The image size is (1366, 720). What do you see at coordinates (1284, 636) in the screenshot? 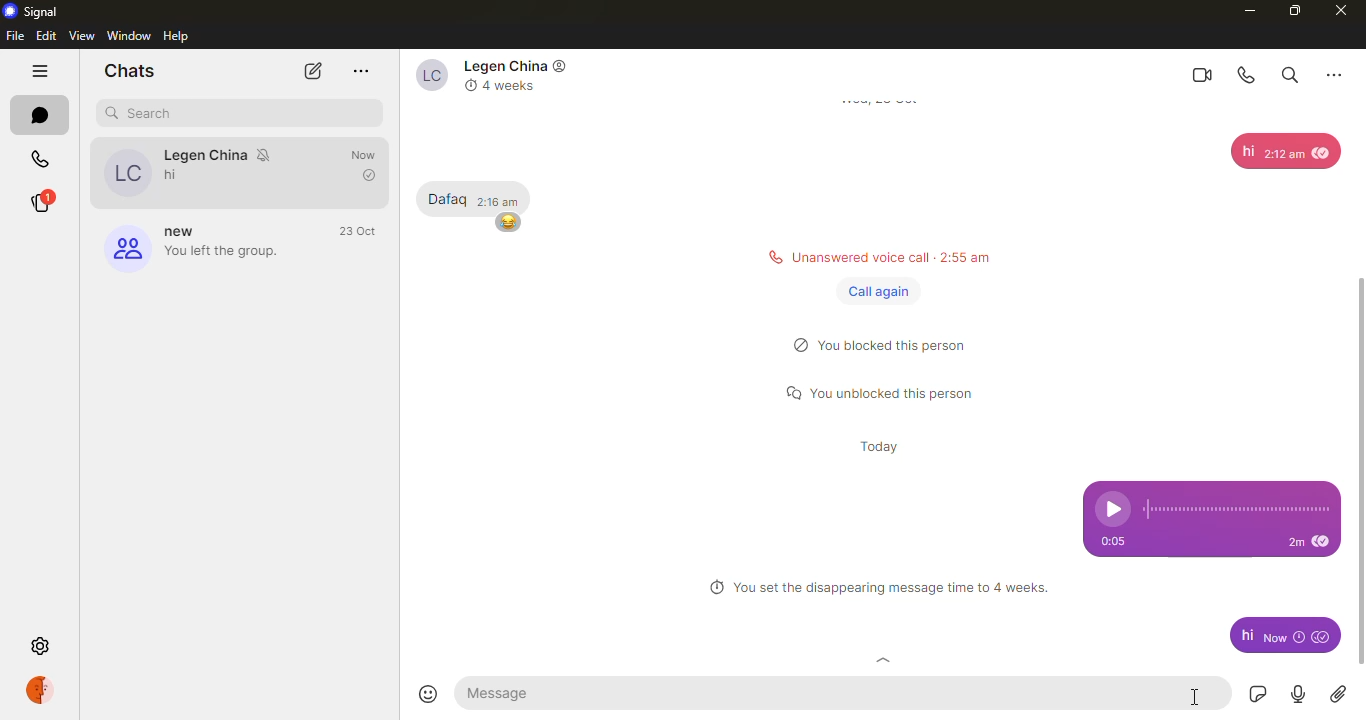
I see `sent now` at bounding box center [1284, 636].